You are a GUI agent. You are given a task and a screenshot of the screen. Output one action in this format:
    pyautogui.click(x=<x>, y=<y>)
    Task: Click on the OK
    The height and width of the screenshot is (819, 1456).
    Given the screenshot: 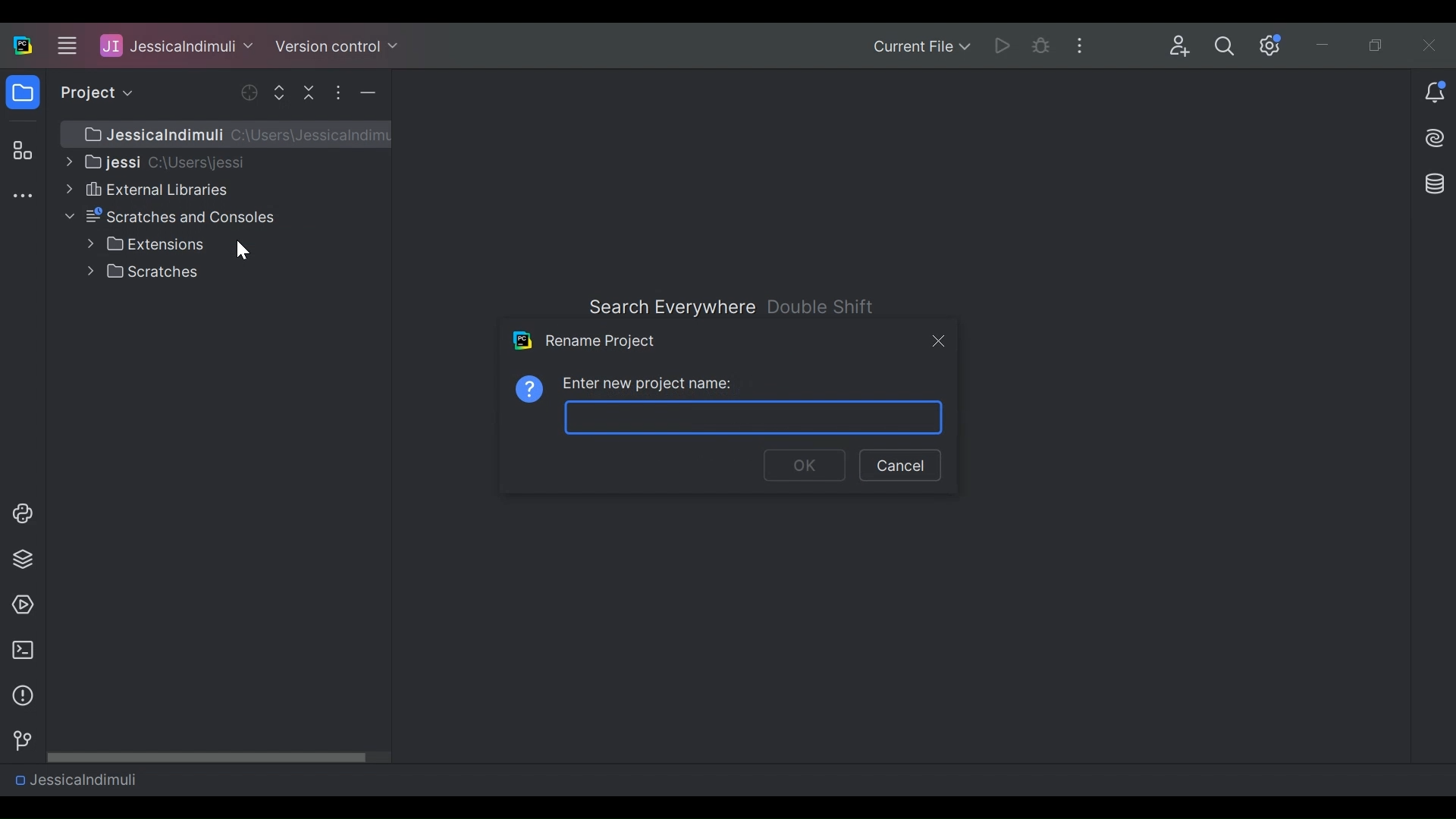 What is the action you would take?
    pyautogui.click(x=806, y=466)
    